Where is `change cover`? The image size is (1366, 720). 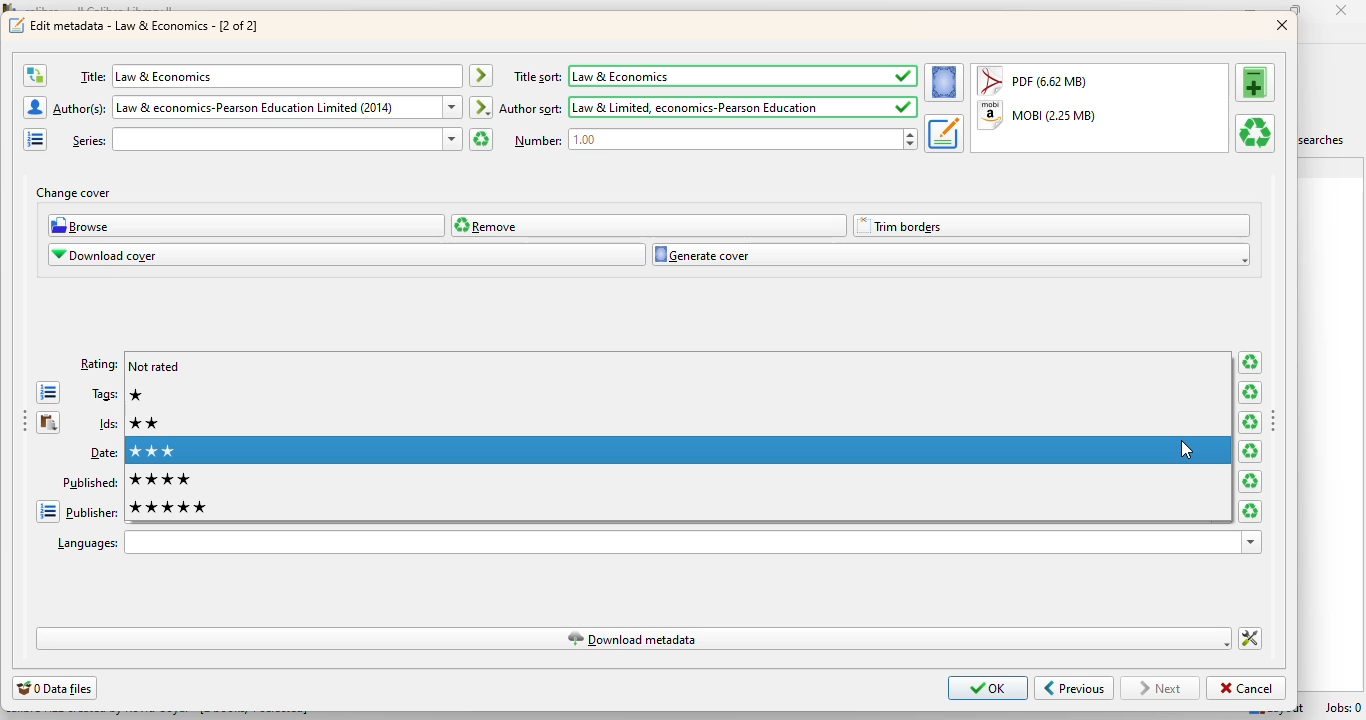
change cover is located at coordinates (73, 193).